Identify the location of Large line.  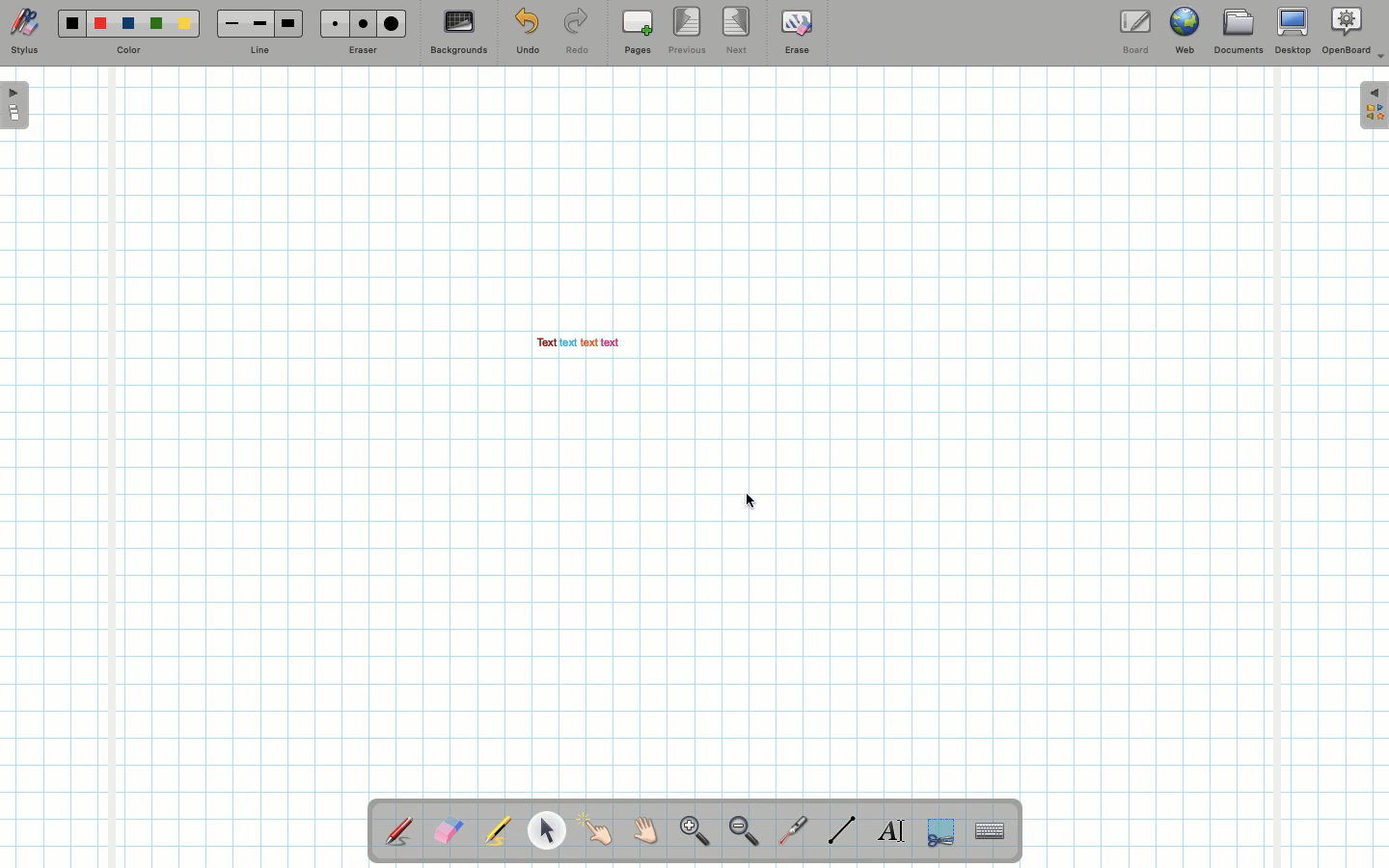
(289, 23).